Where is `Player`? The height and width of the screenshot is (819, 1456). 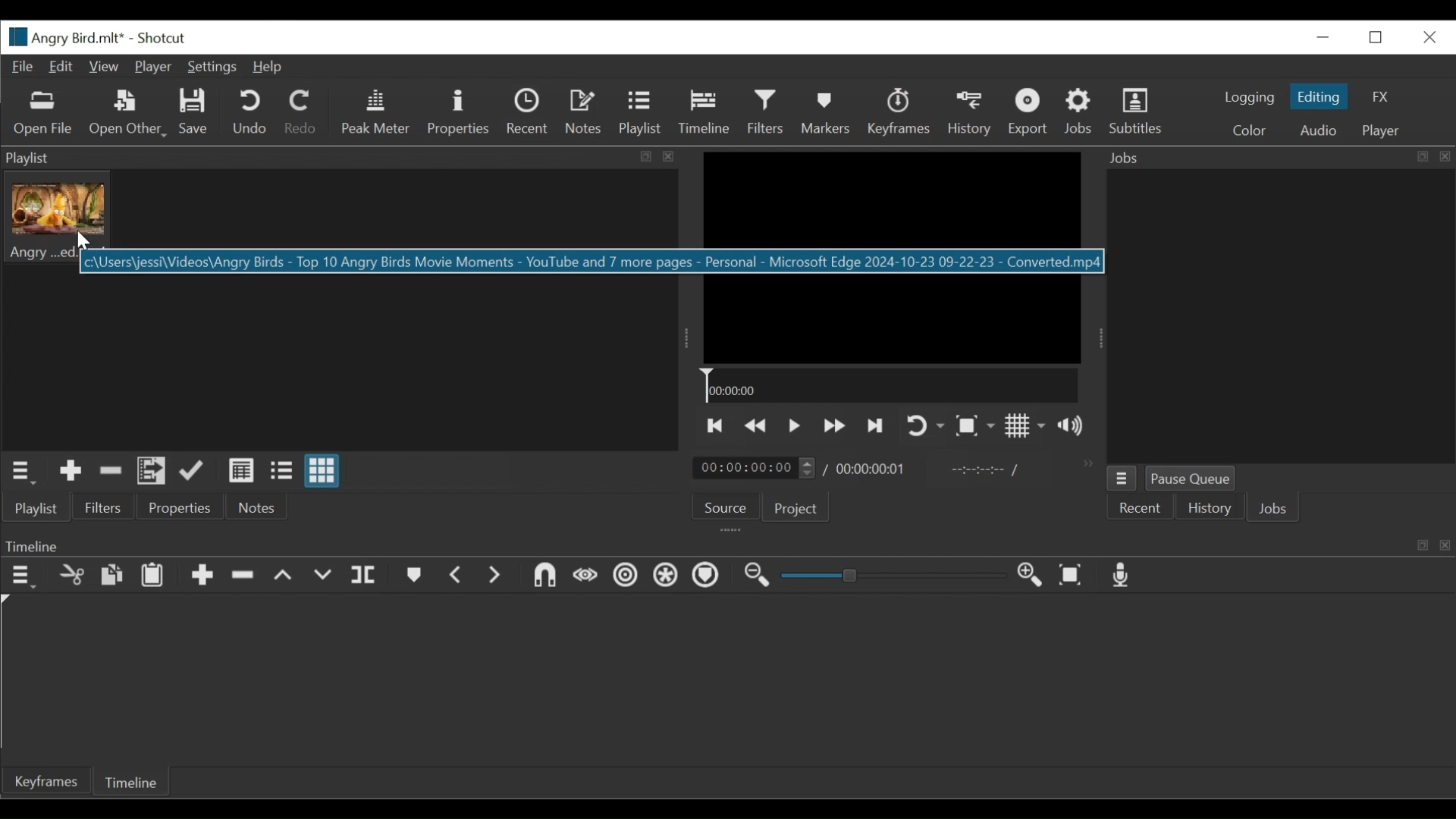
Player is located at coordinates (153, 67).